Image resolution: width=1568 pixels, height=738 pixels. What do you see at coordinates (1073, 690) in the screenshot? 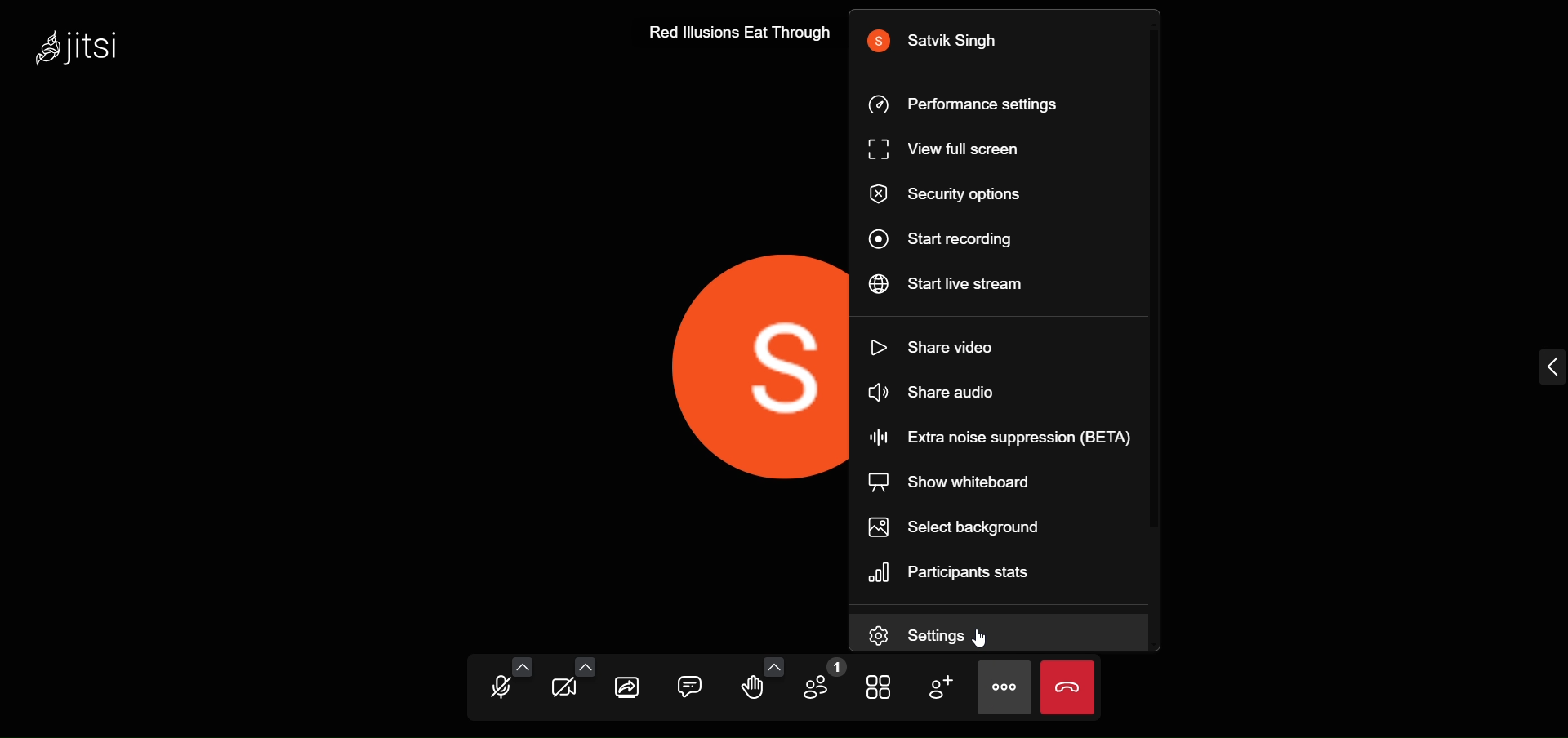
I see `leave call` at bounding box center [1073, 690].